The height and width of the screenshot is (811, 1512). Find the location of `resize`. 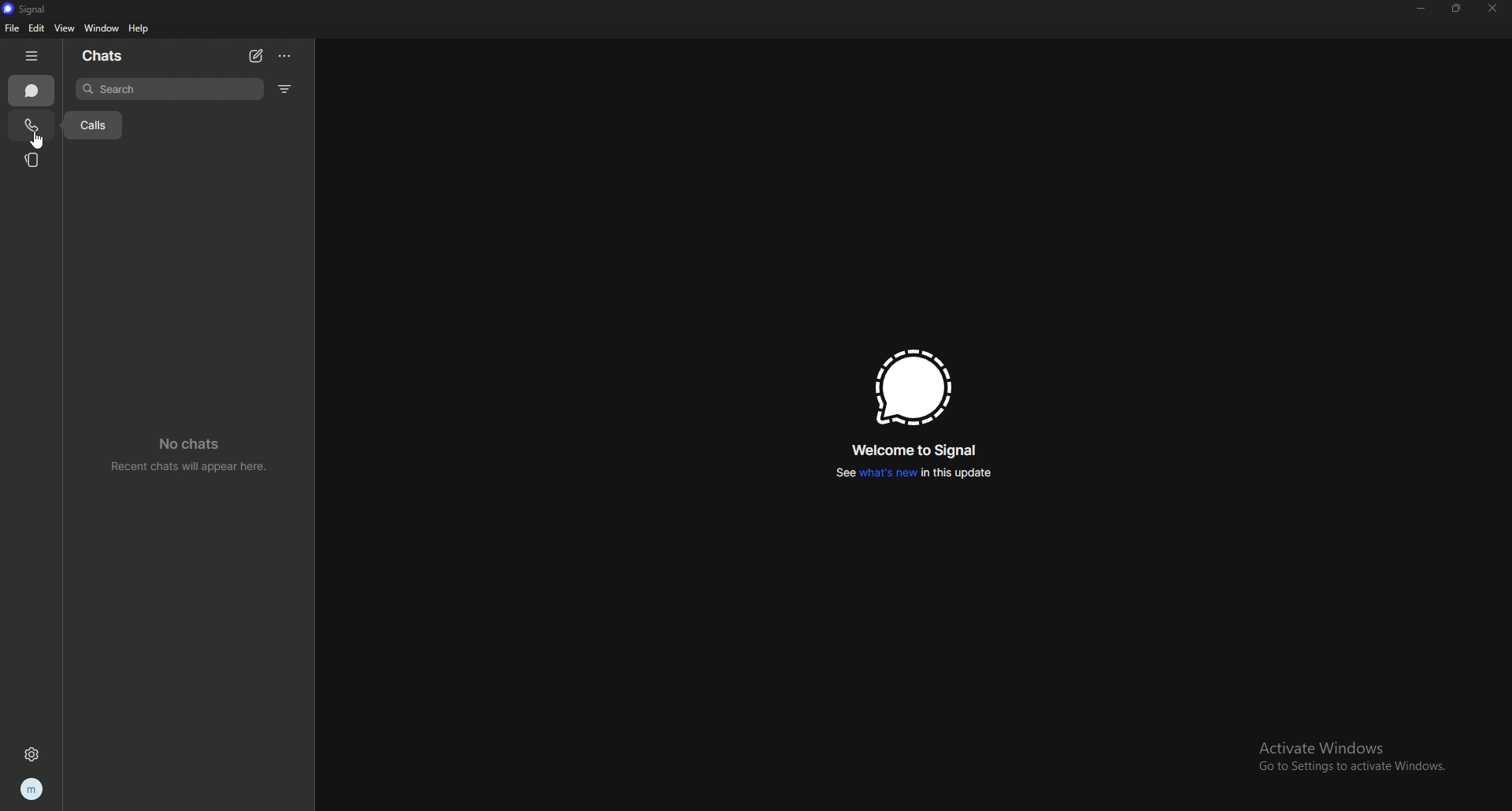

resize is located at coordinates (1458, 7).